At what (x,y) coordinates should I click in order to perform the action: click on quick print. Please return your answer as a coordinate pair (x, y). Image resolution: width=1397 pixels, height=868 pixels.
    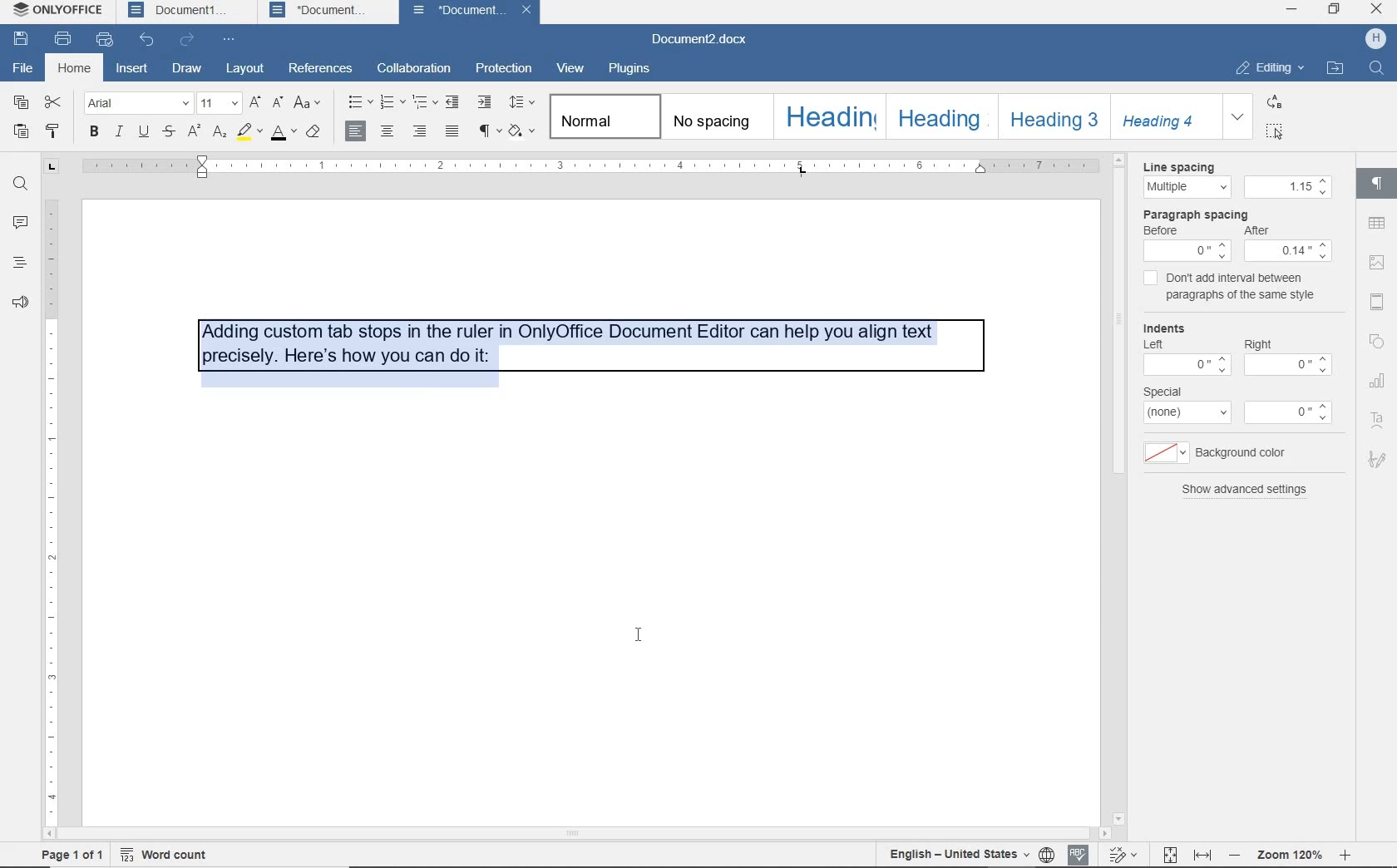
    Looking at the image, I should click on (105, 40).